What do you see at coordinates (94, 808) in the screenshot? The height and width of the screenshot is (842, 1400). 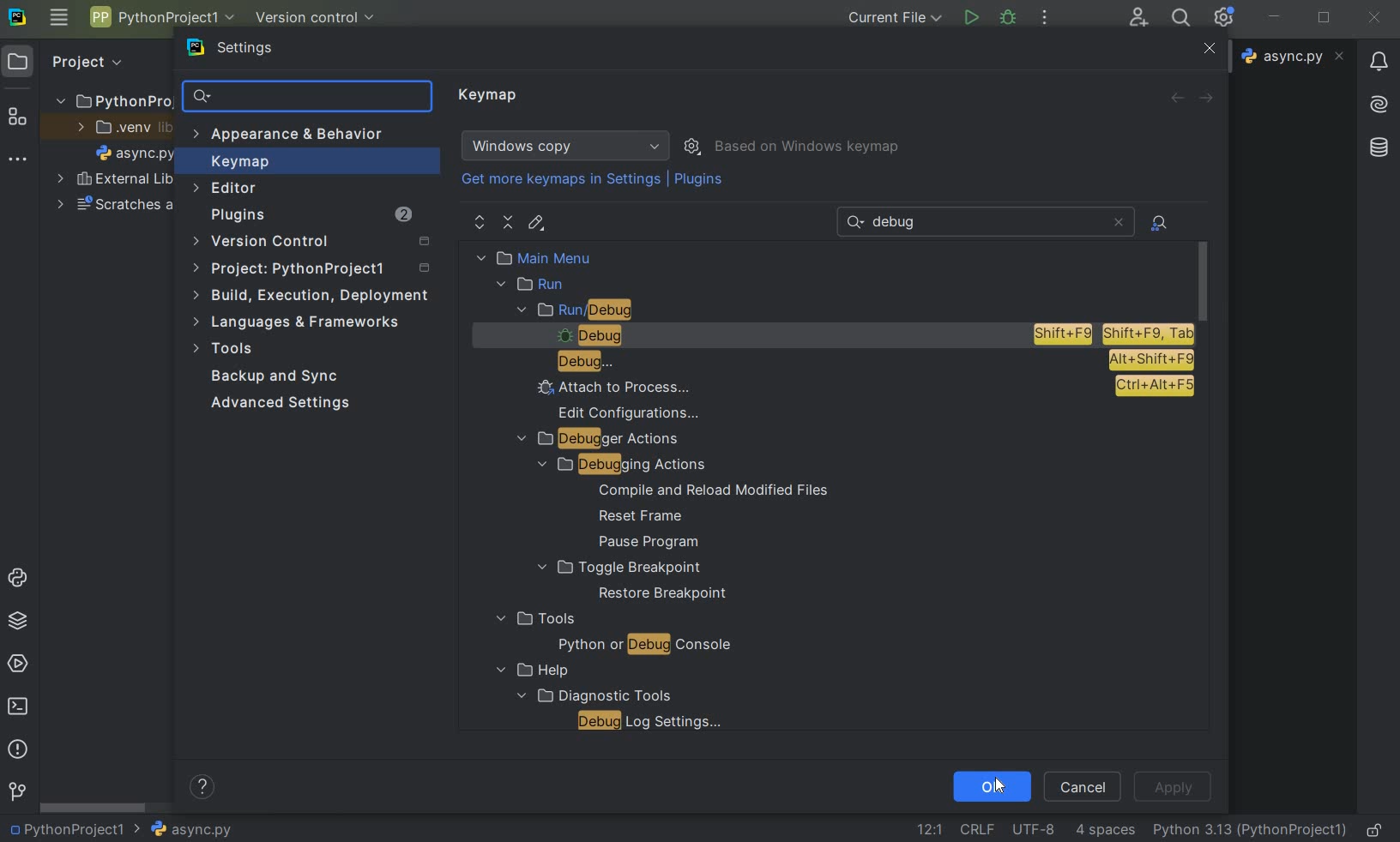 I see `scrollbar` at bounding box center [94, 808].